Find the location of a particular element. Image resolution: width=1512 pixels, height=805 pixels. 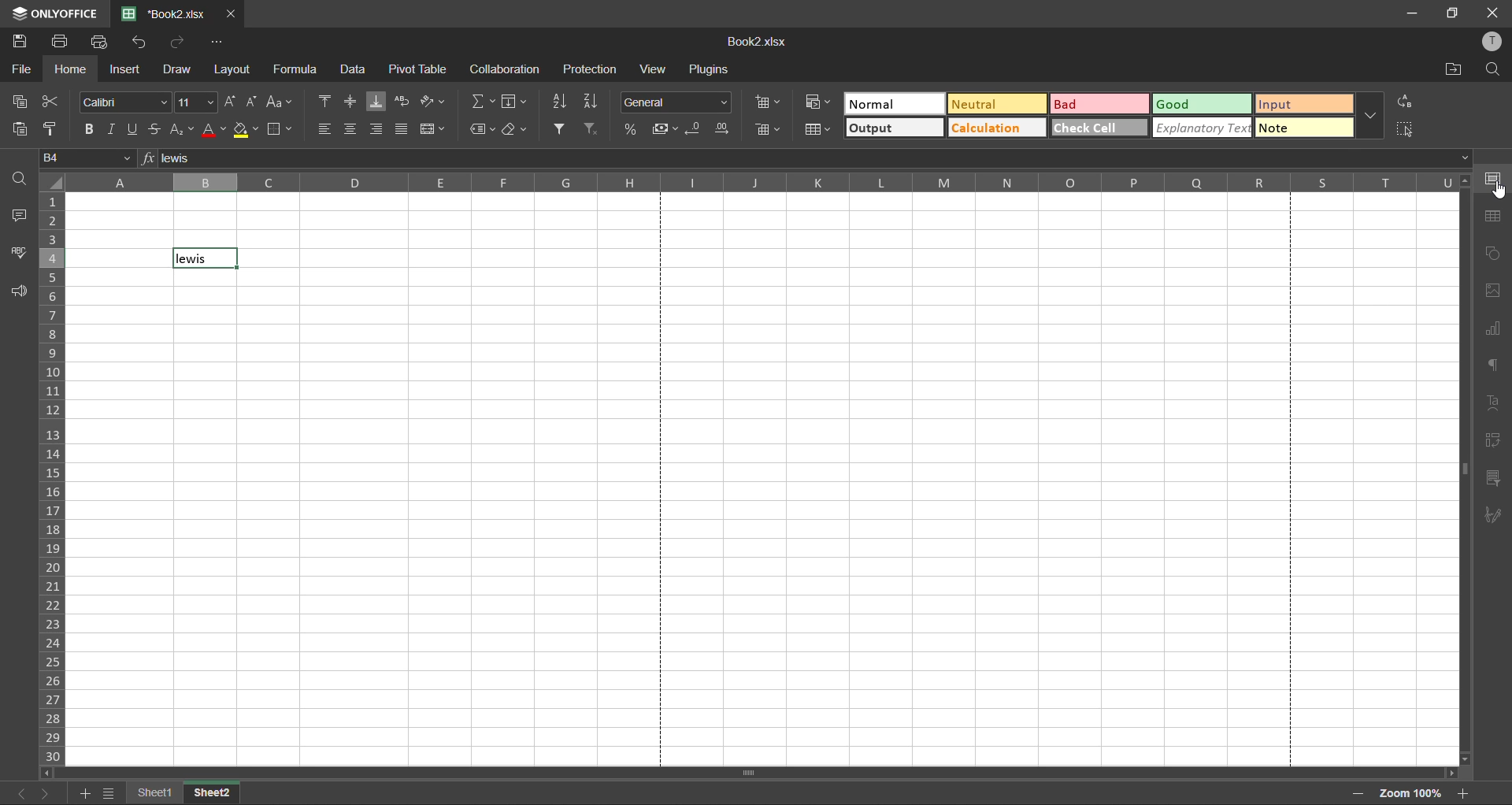

select all cells is located at coordinates (50, 180).